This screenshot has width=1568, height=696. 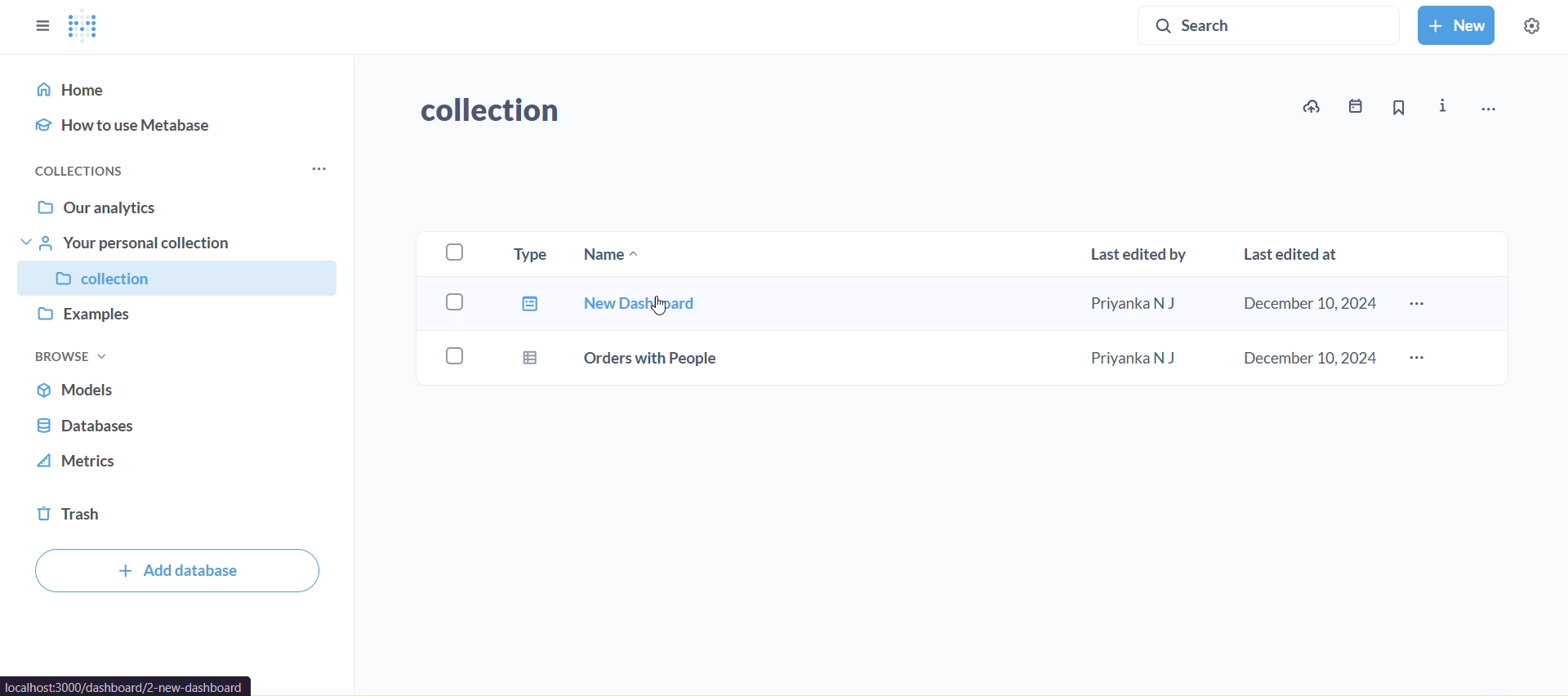 What do you see at coordinates (181, 462) in the screenshot?
I see `metrics` at bounding box center [181, 462].